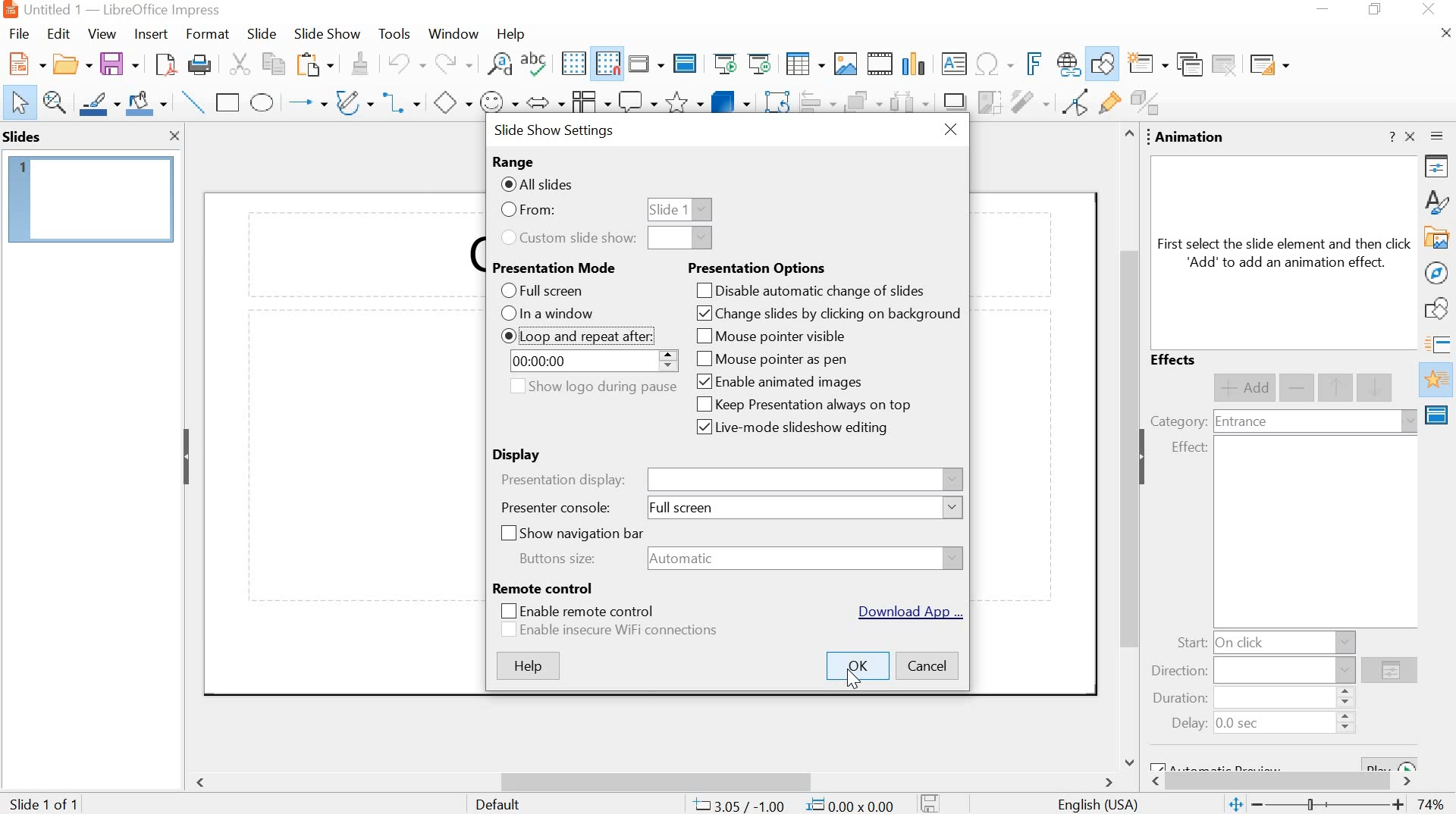 This screenshot has width=1456, height=814. I want to click on connector, so click(402, 104).